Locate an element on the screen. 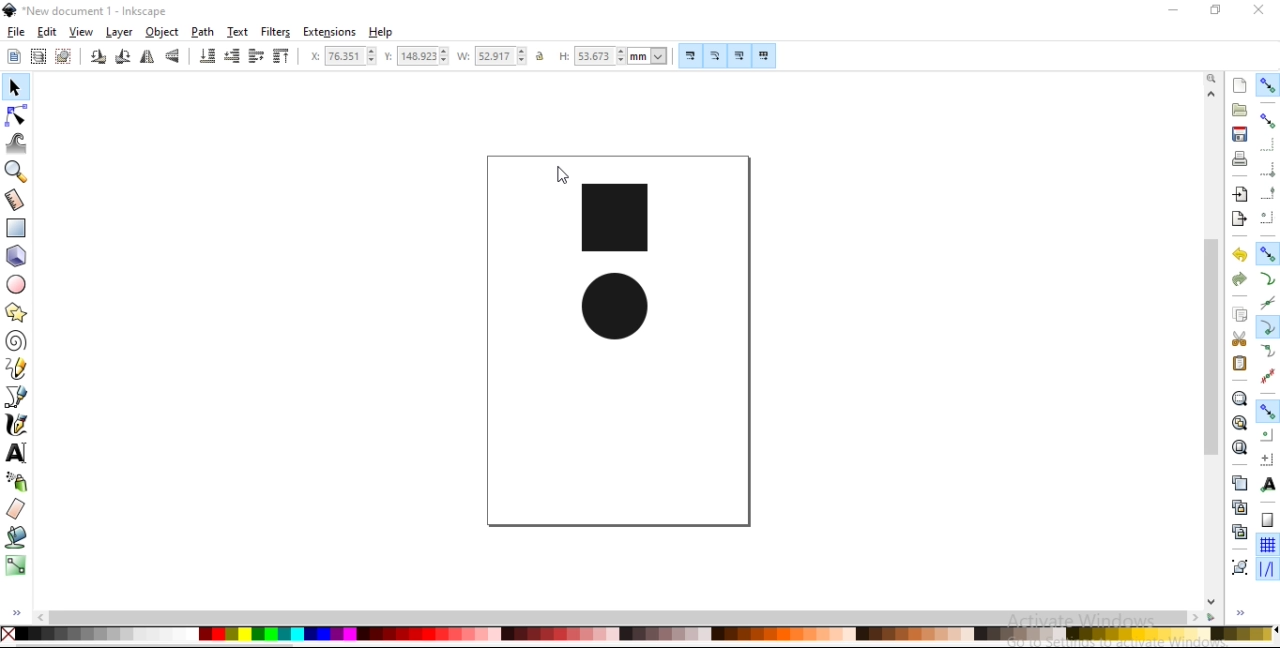  raise selection to top is located at coordinates (282, 57).